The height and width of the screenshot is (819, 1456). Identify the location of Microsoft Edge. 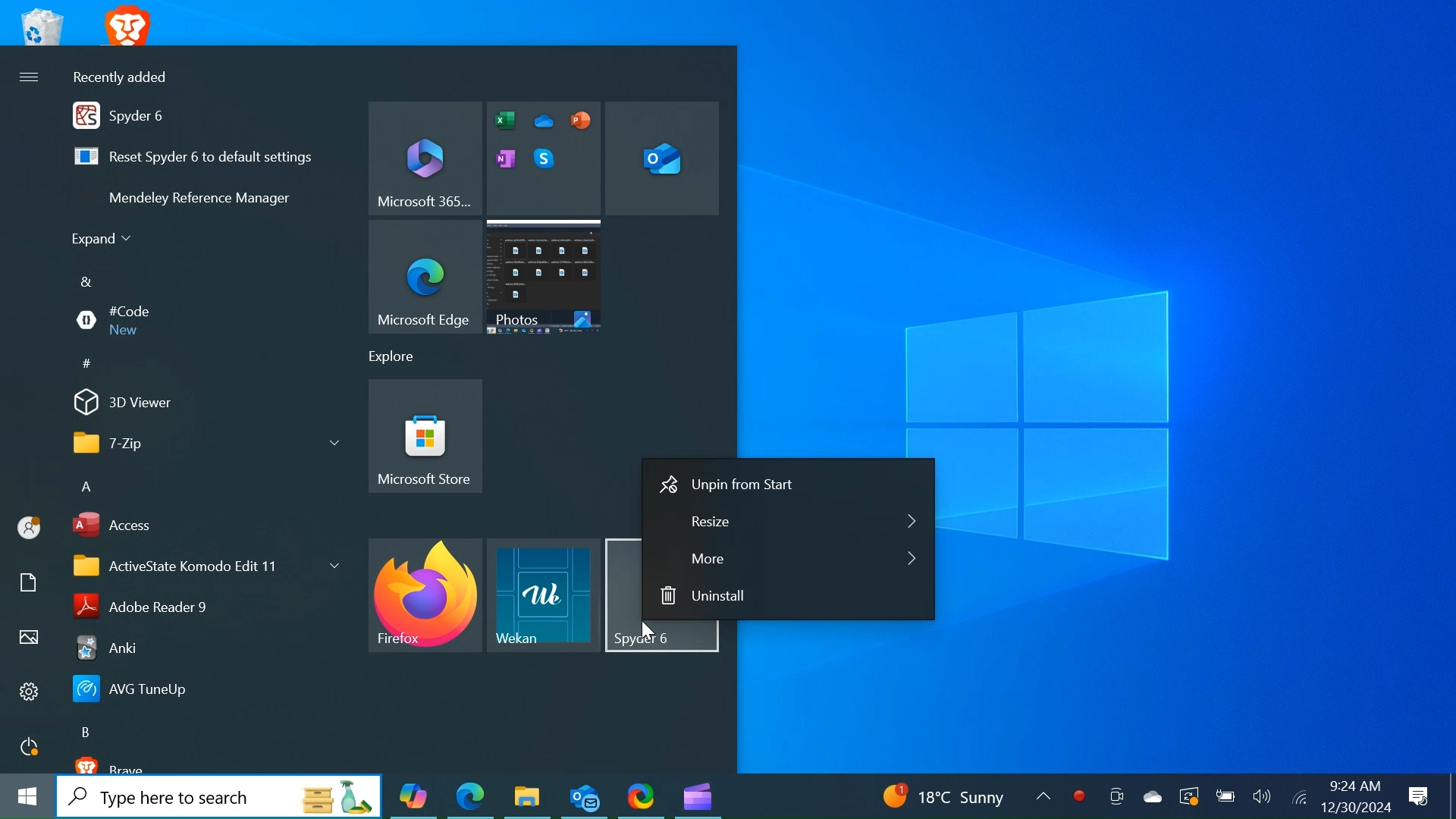
(422, 278).